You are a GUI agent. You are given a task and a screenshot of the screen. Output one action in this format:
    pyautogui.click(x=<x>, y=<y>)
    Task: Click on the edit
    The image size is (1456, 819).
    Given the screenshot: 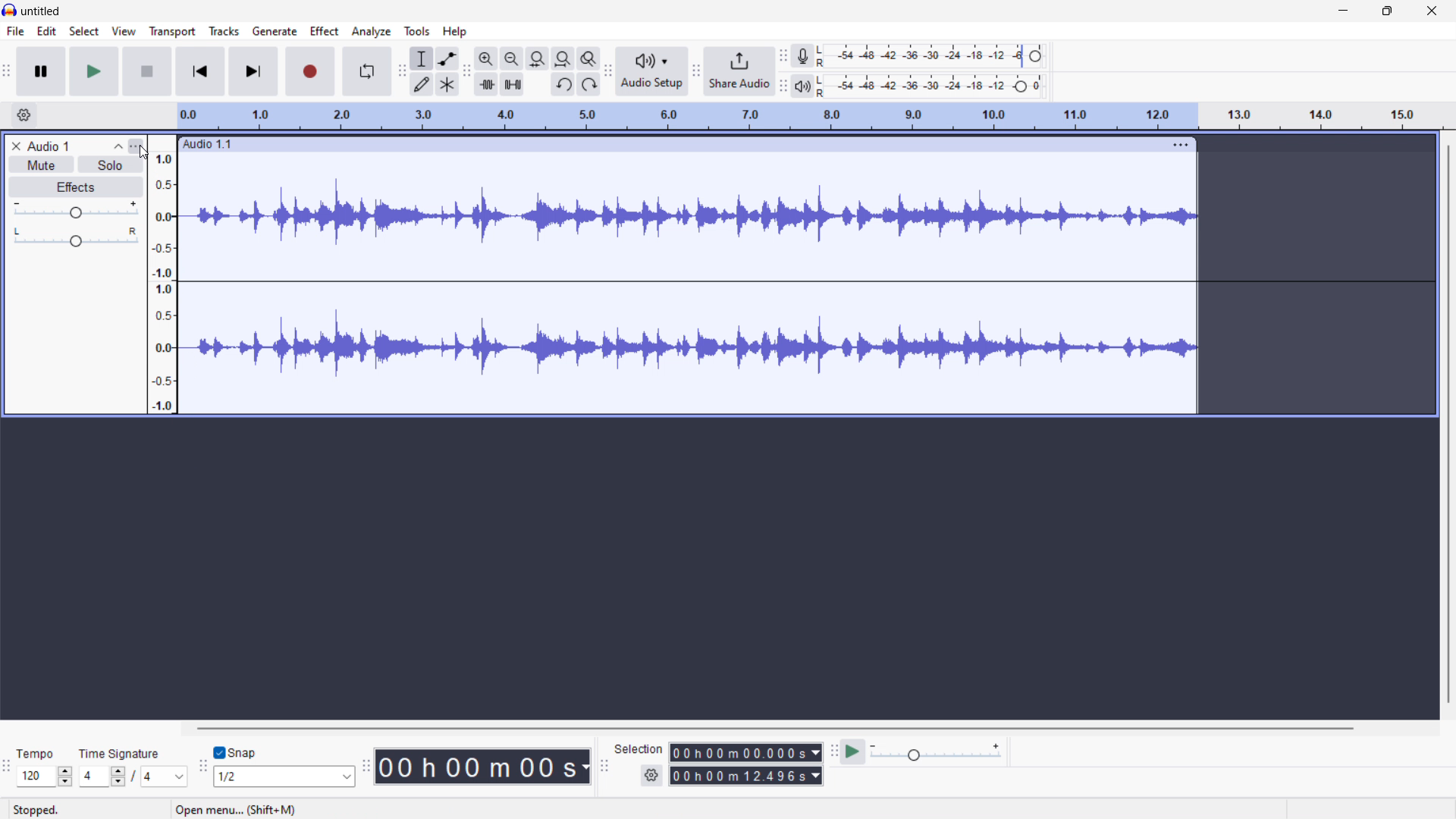 What is the action you would take?
    pyautogui.click(x=48, y=31)
    